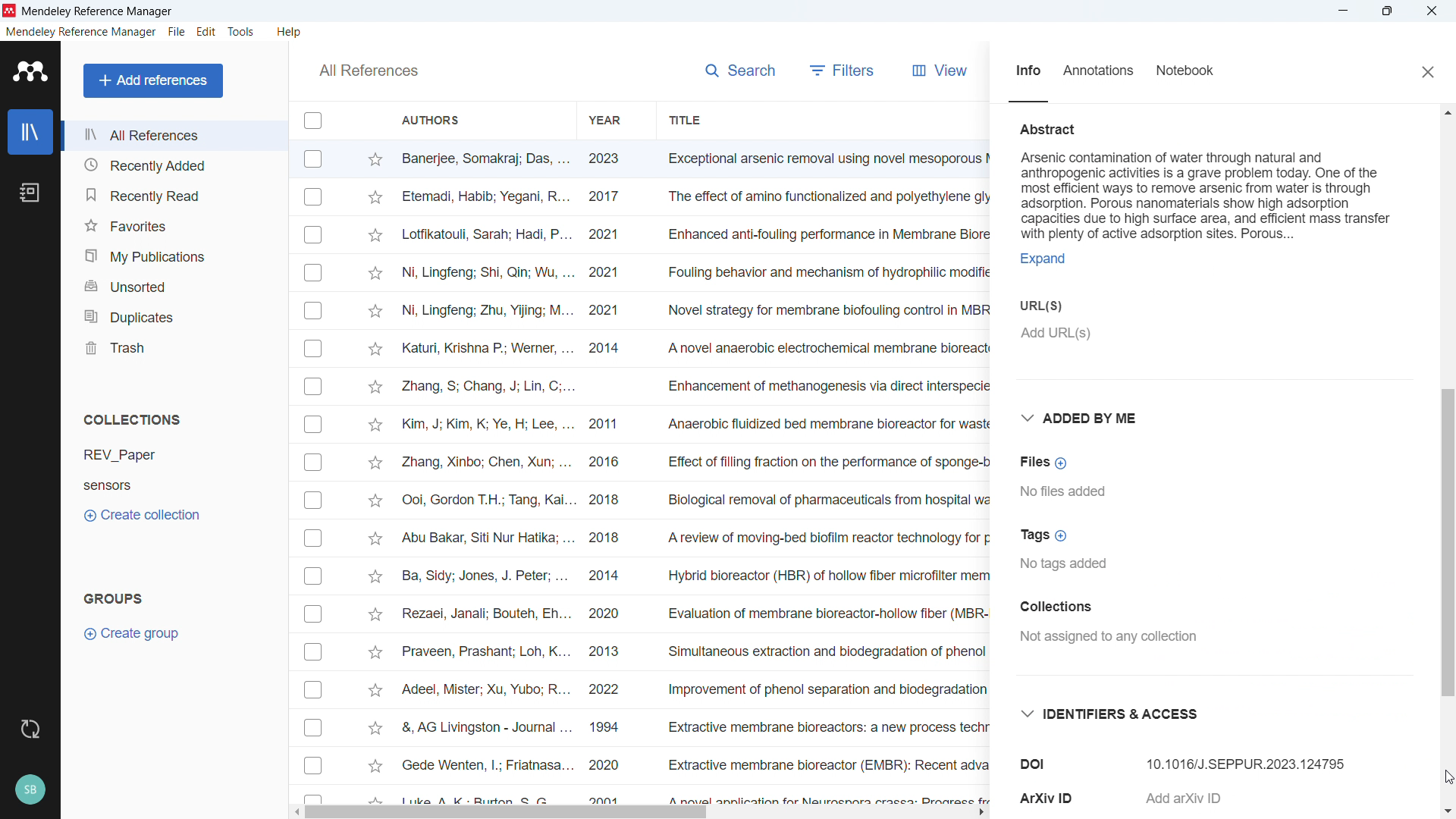 The height and width of the screenshot is (819, 1456). Describe the element at coordinates (315, 538) in the screenshot. I see `click to select individual ern` at that location.